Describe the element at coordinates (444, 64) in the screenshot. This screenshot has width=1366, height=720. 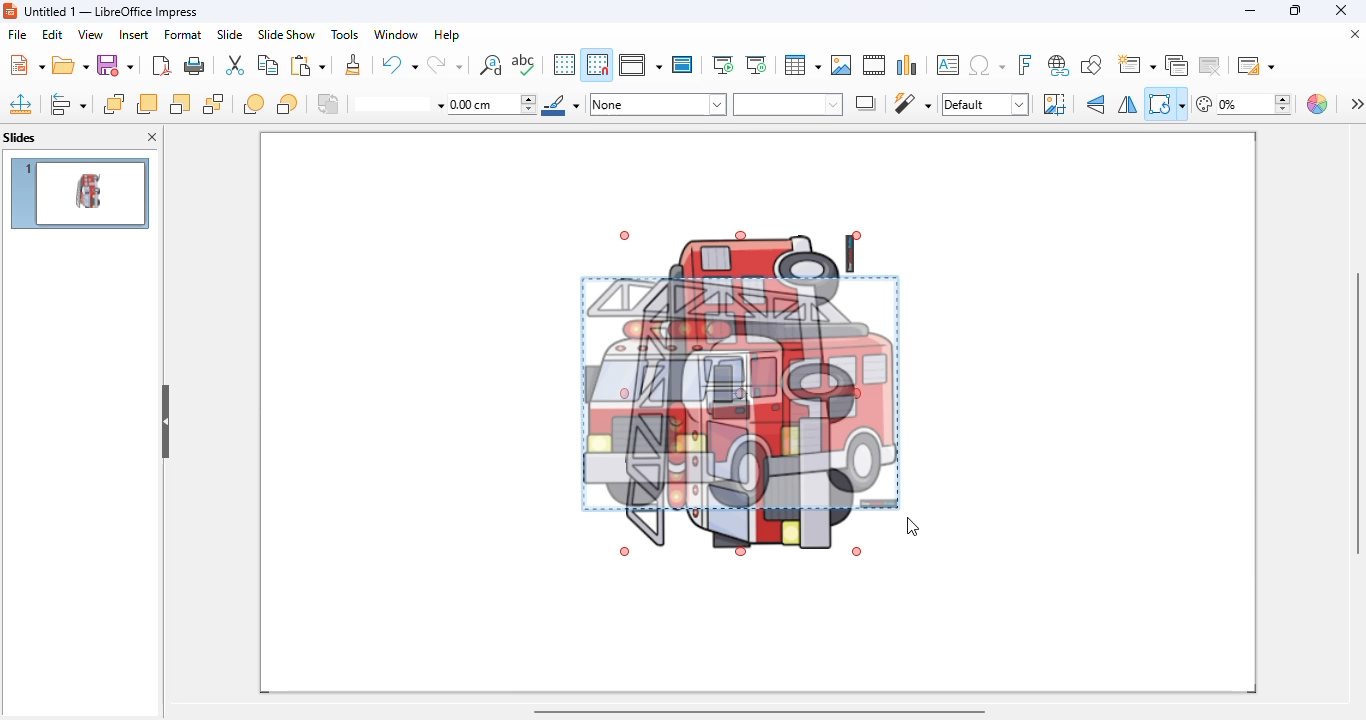
I see `redo` at that location.